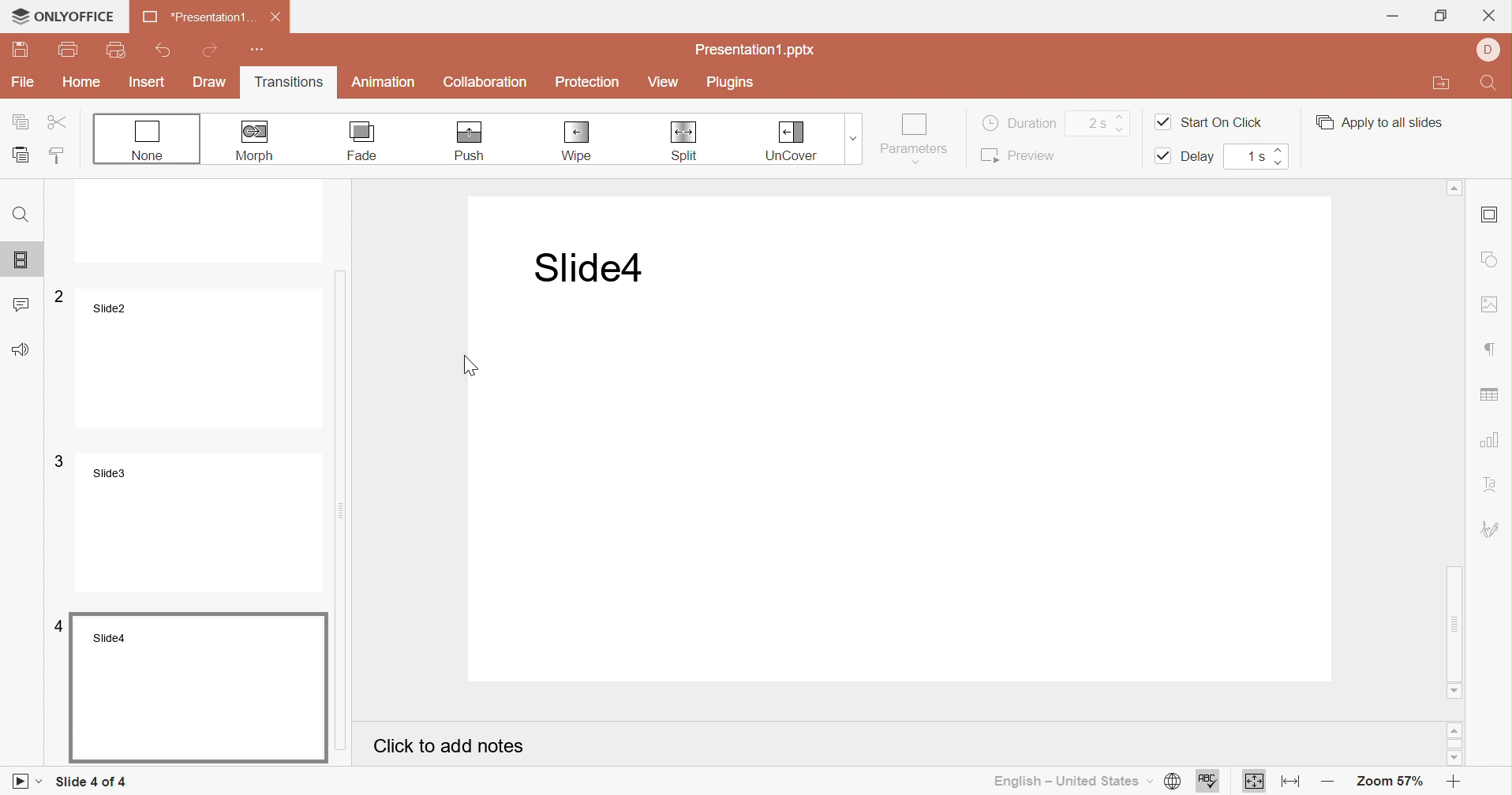 This screenshot has height=795, width=1512. Describe the element at coordinates (486, 83) in the screenshot. I see `Collaboration` at that location.